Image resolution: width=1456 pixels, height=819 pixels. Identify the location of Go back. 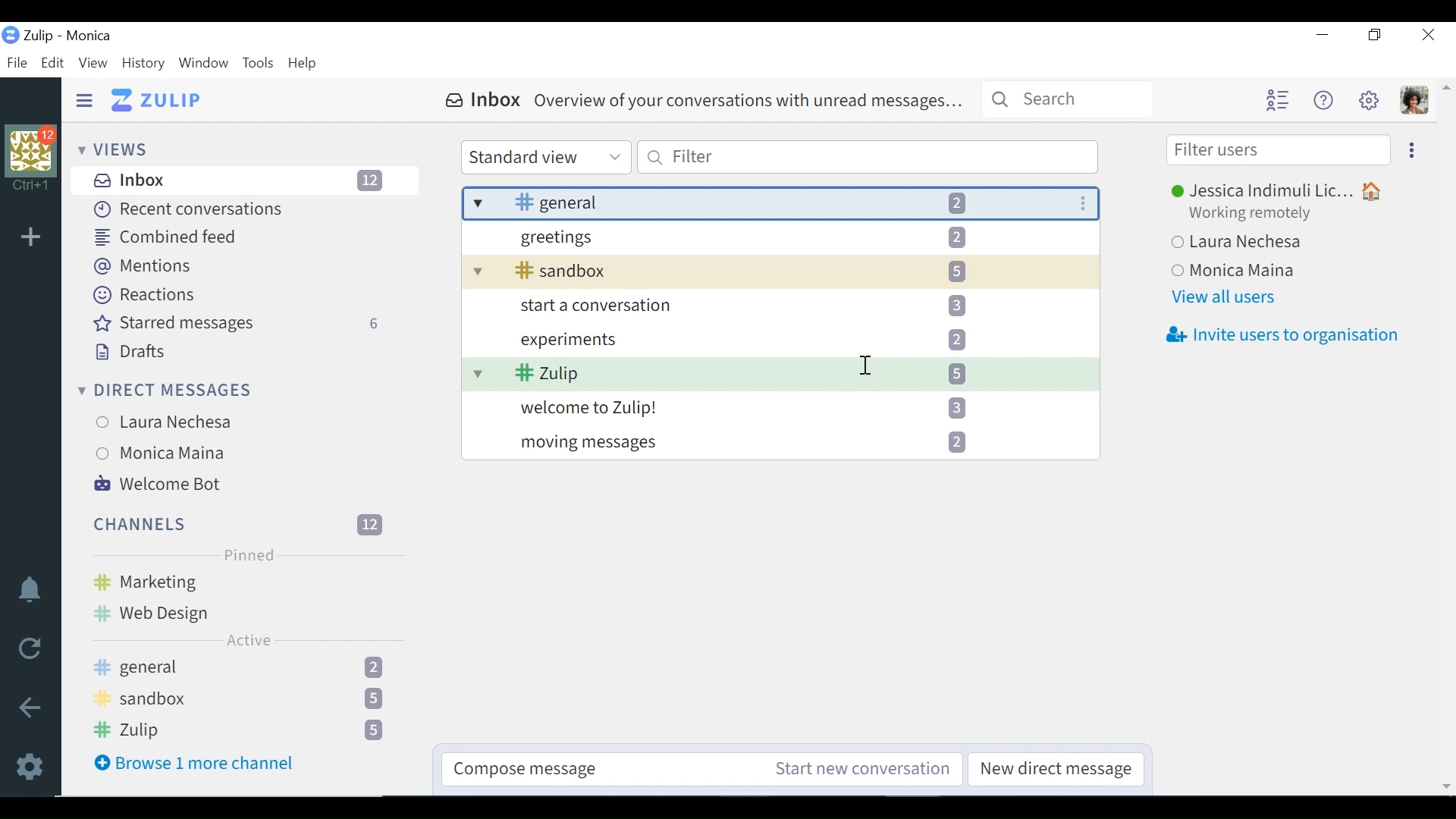
(30, 708).